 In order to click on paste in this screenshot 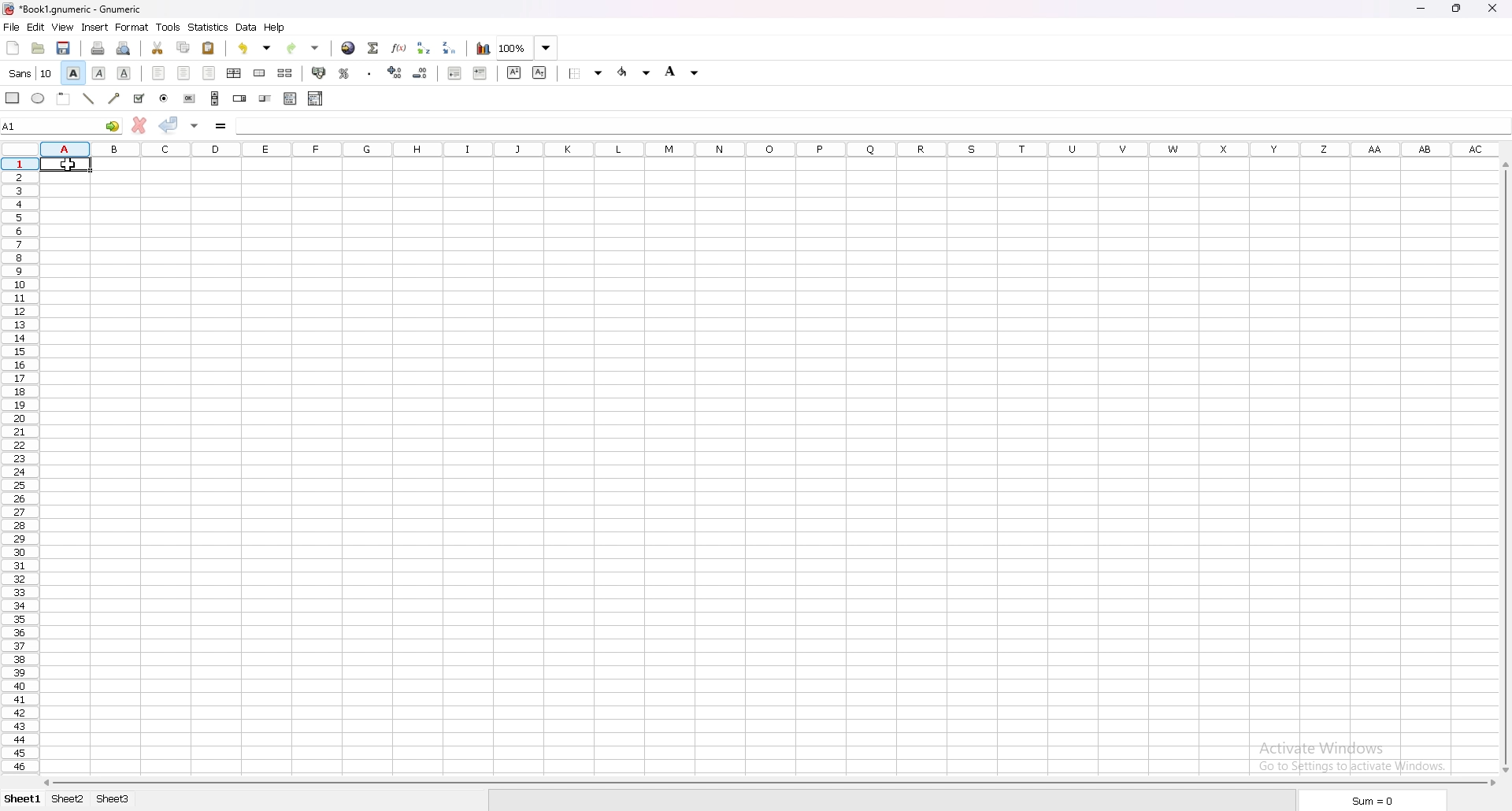, I will do `click(208, 49)`.